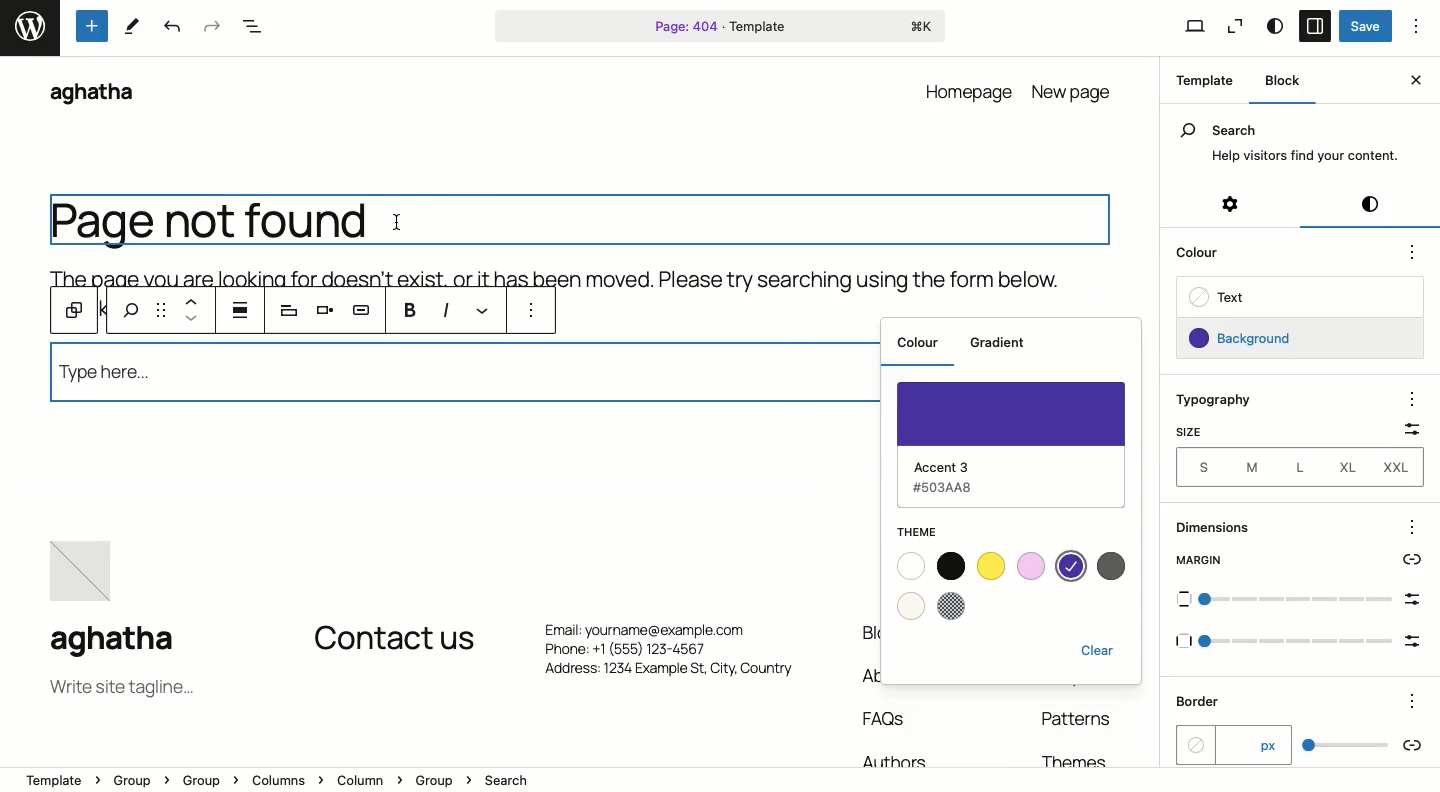 This screenshot has height=792, width=1440. What do you see at coordinates (1418, 81) in the screenshot?
I see `Close` at bounding box center [1418, 81].